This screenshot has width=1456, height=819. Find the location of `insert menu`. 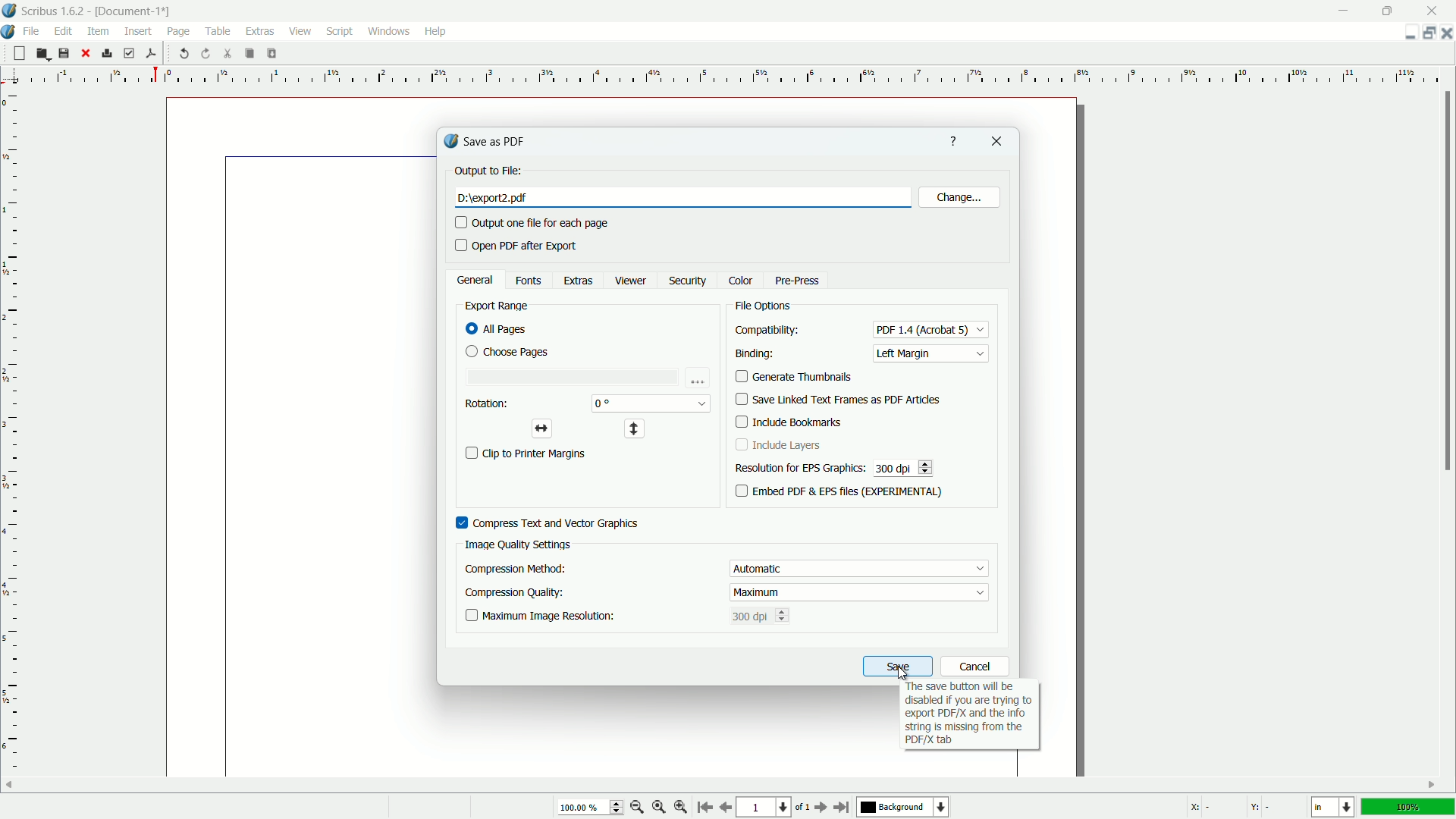

insert menu is located at coordinates (139, 32).